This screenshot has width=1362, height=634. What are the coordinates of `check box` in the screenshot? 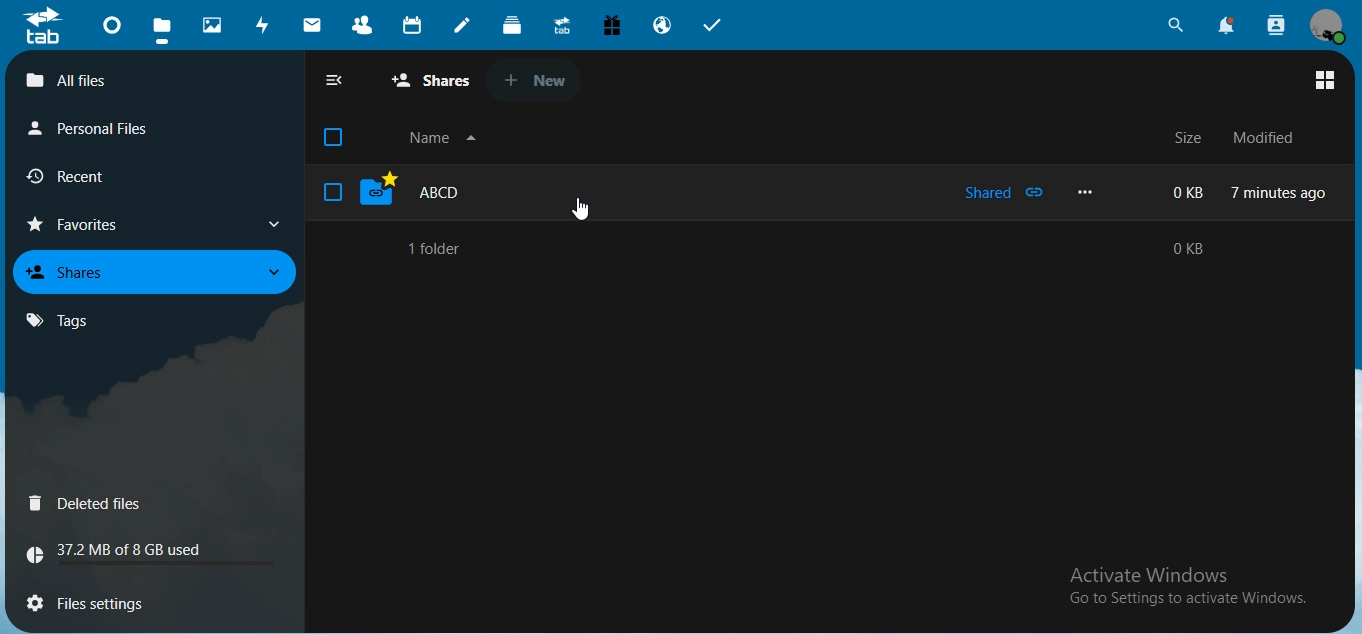 It's located at (332, 190).